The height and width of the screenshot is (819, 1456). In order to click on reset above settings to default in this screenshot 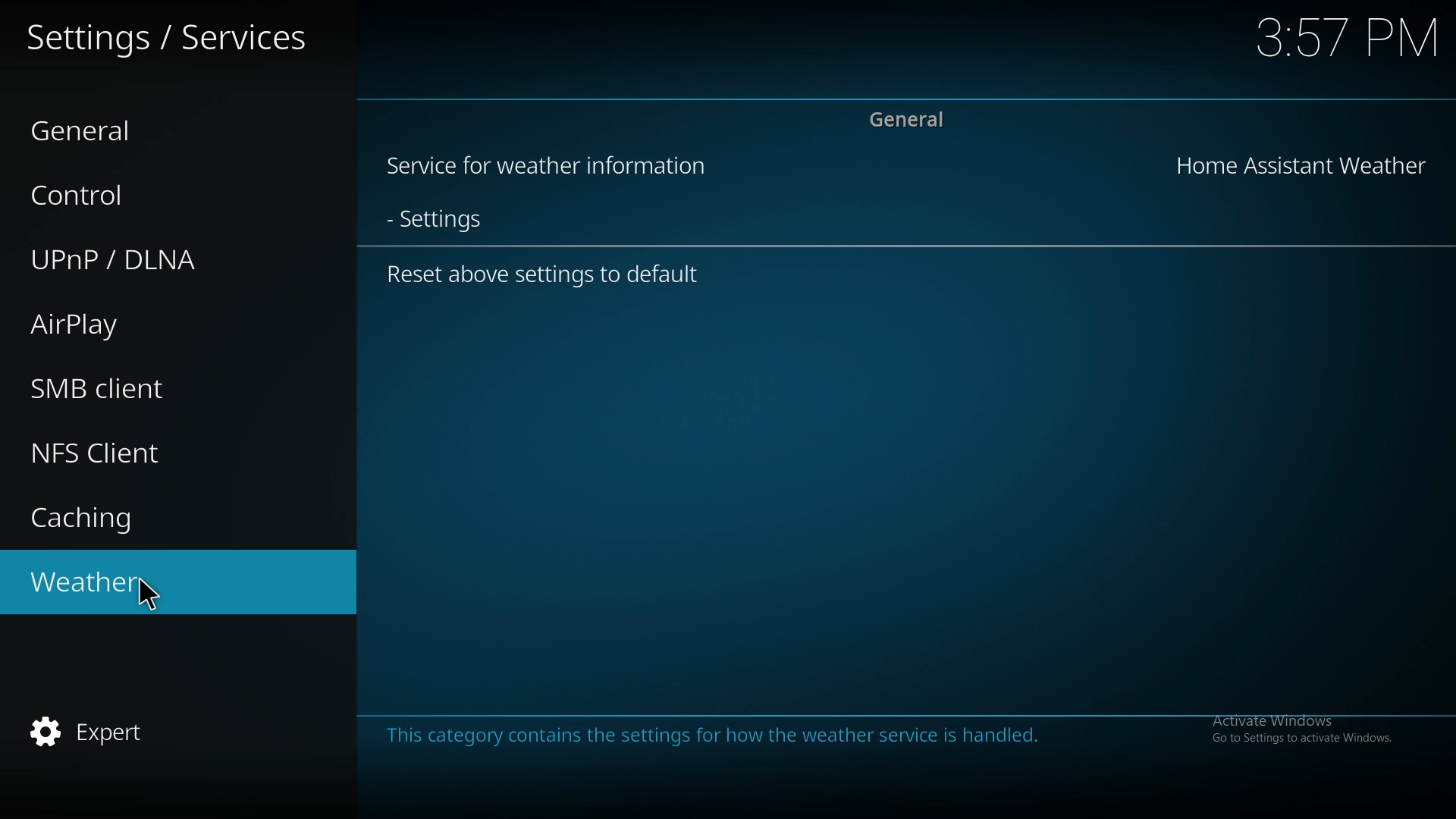, I will do `click(549, 275)`.